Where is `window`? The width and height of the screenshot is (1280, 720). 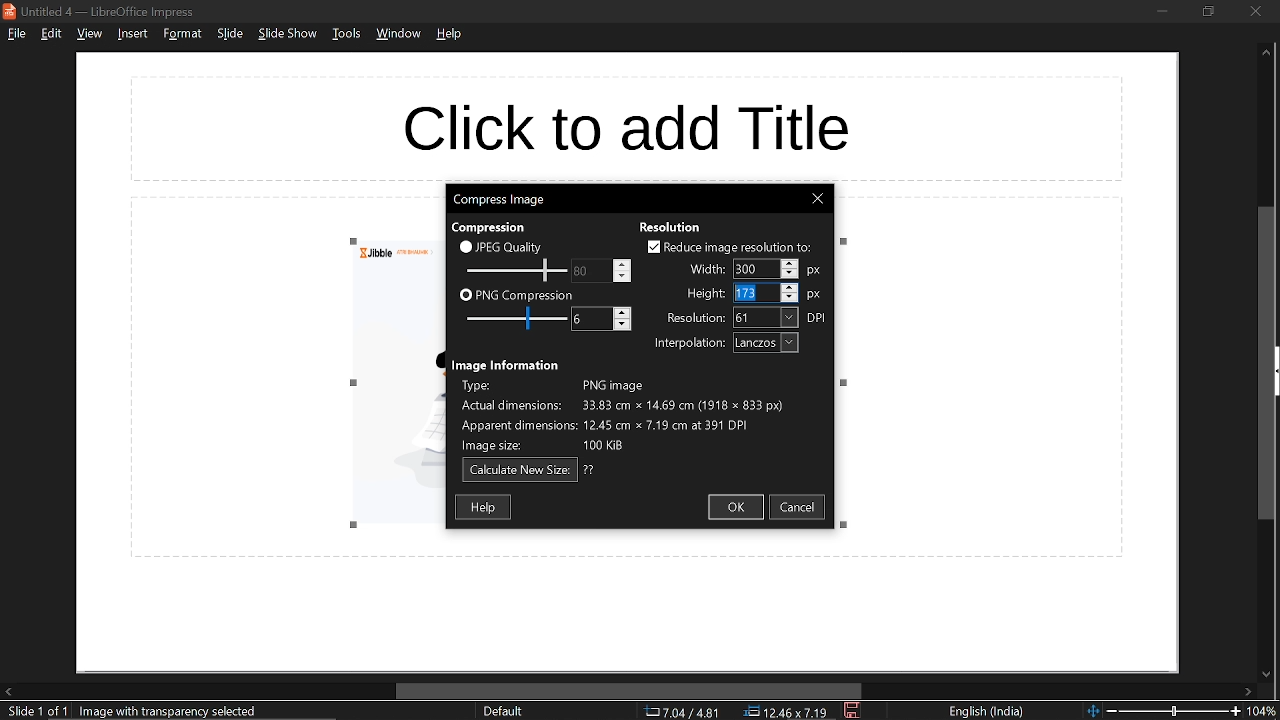
window is located at coordinates (397, 36).